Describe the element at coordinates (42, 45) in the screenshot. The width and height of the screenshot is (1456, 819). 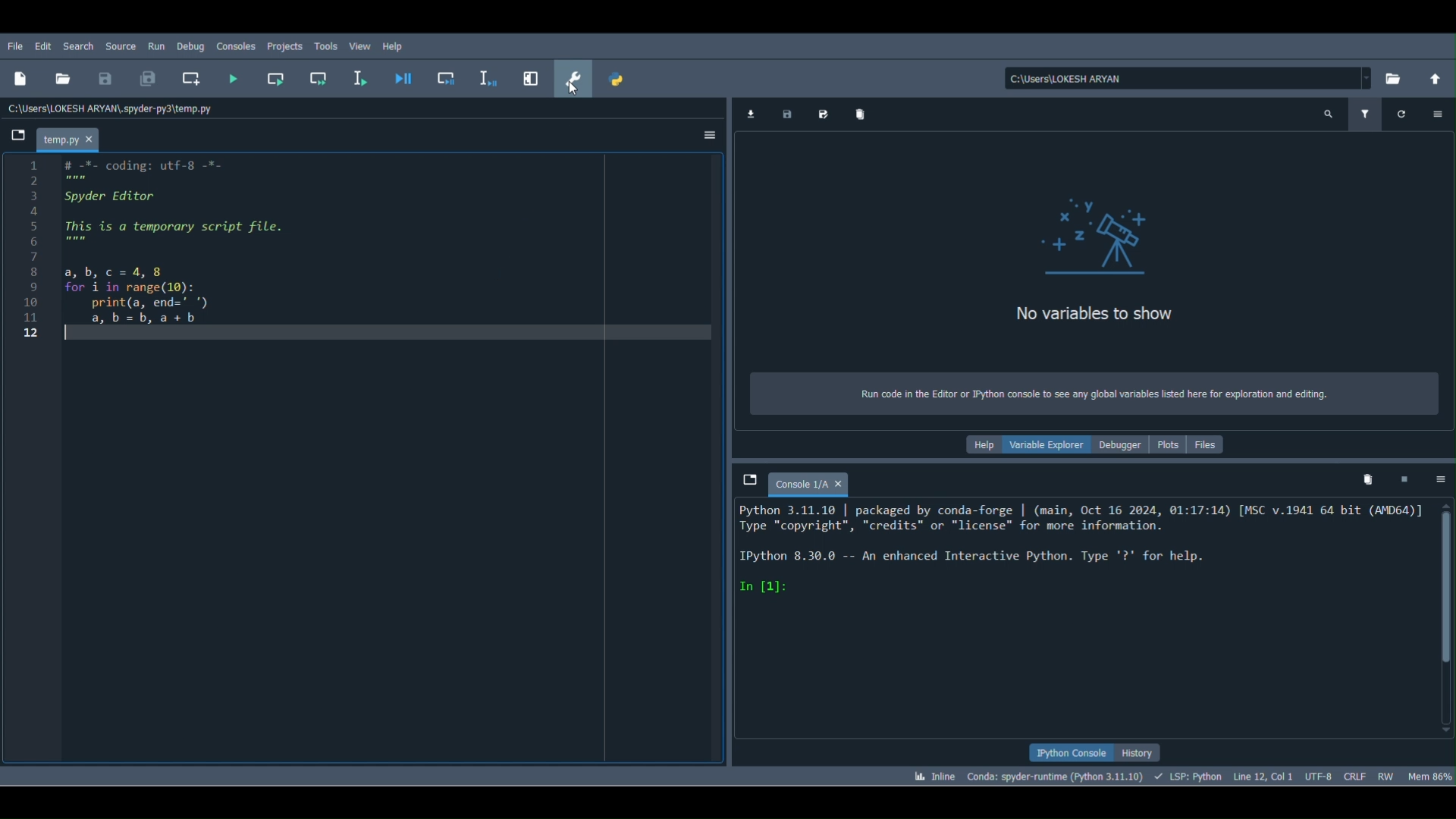
I see `Edit` at that location.